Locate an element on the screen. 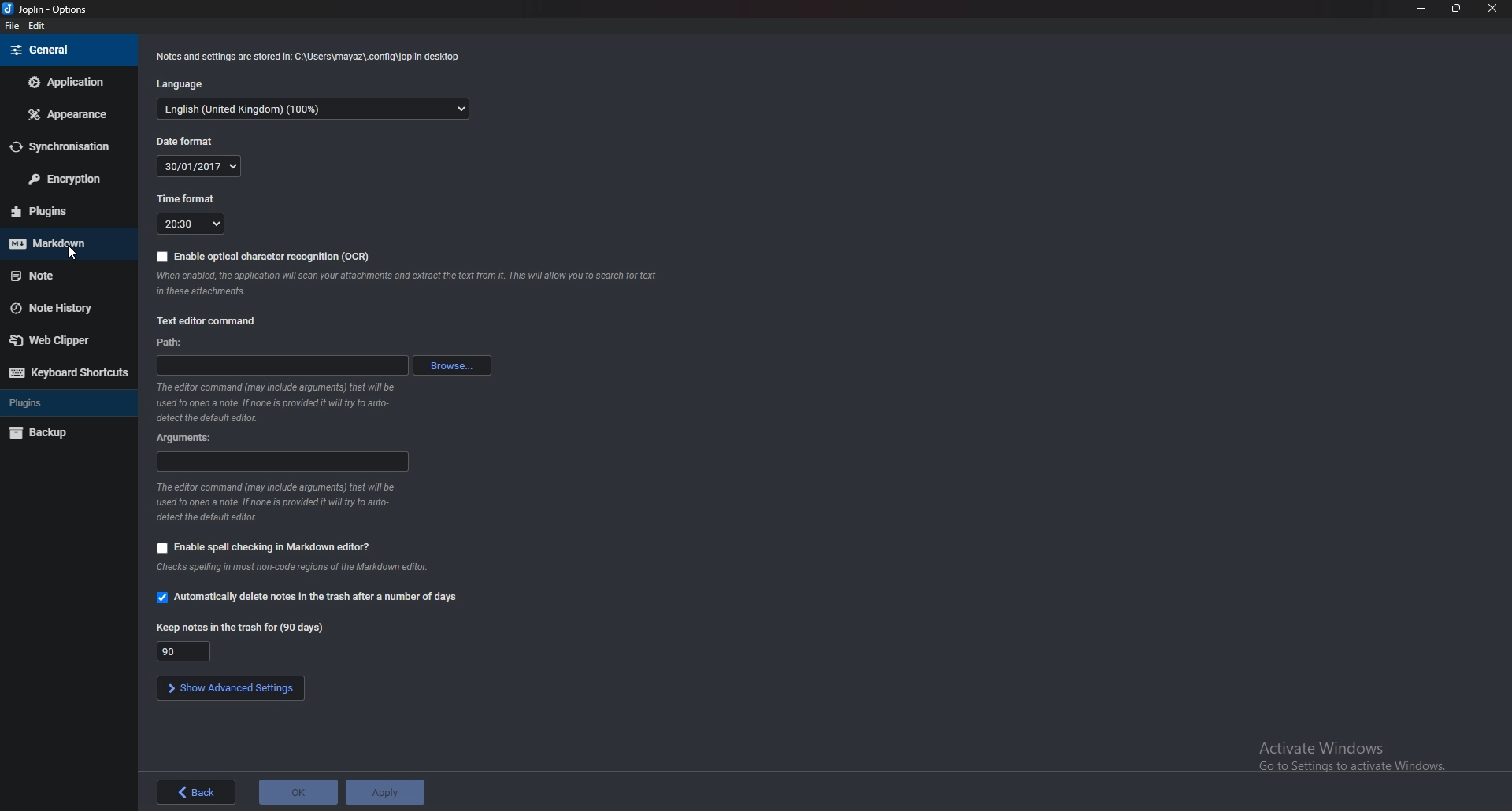  Mark down is located at coordinates (67, 243).